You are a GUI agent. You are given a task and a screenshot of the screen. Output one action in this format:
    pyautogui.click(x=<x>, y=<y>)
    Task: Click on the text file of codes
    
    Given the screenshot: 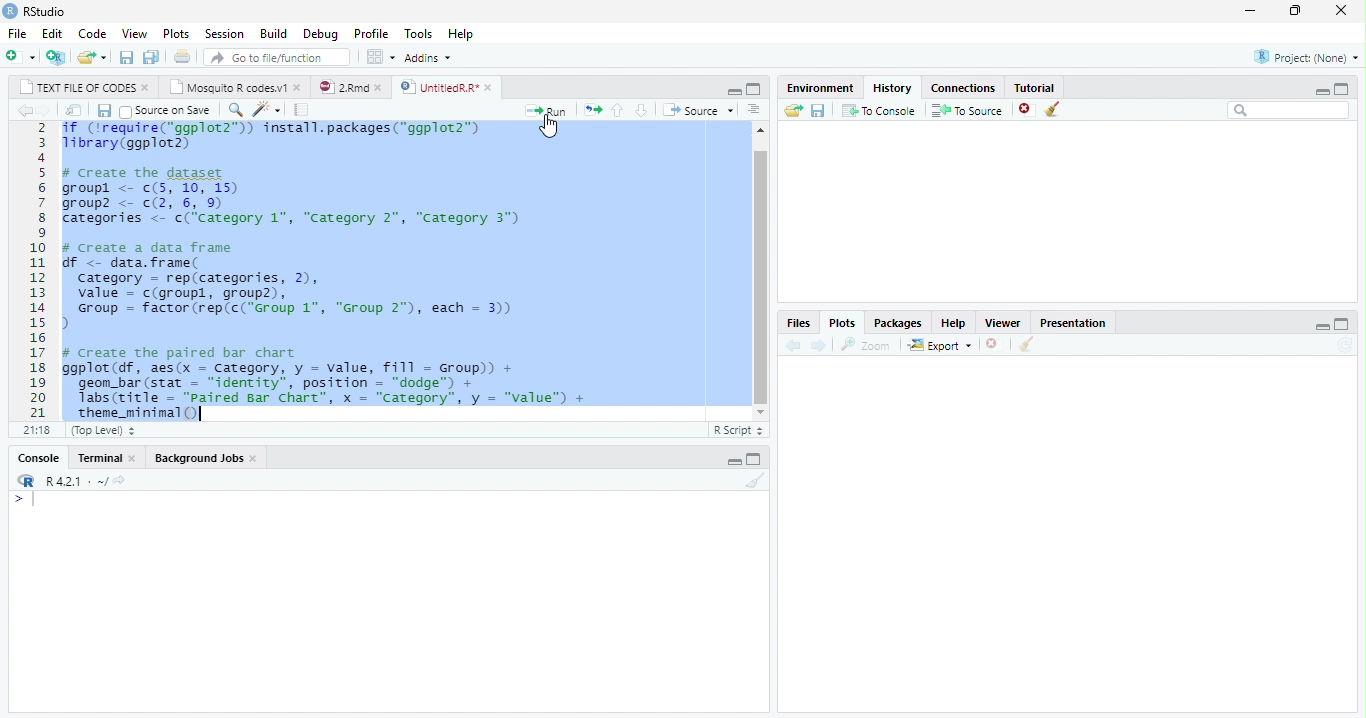 What is the action you would take?
    pyautogui.click(x=78, y=88)
    